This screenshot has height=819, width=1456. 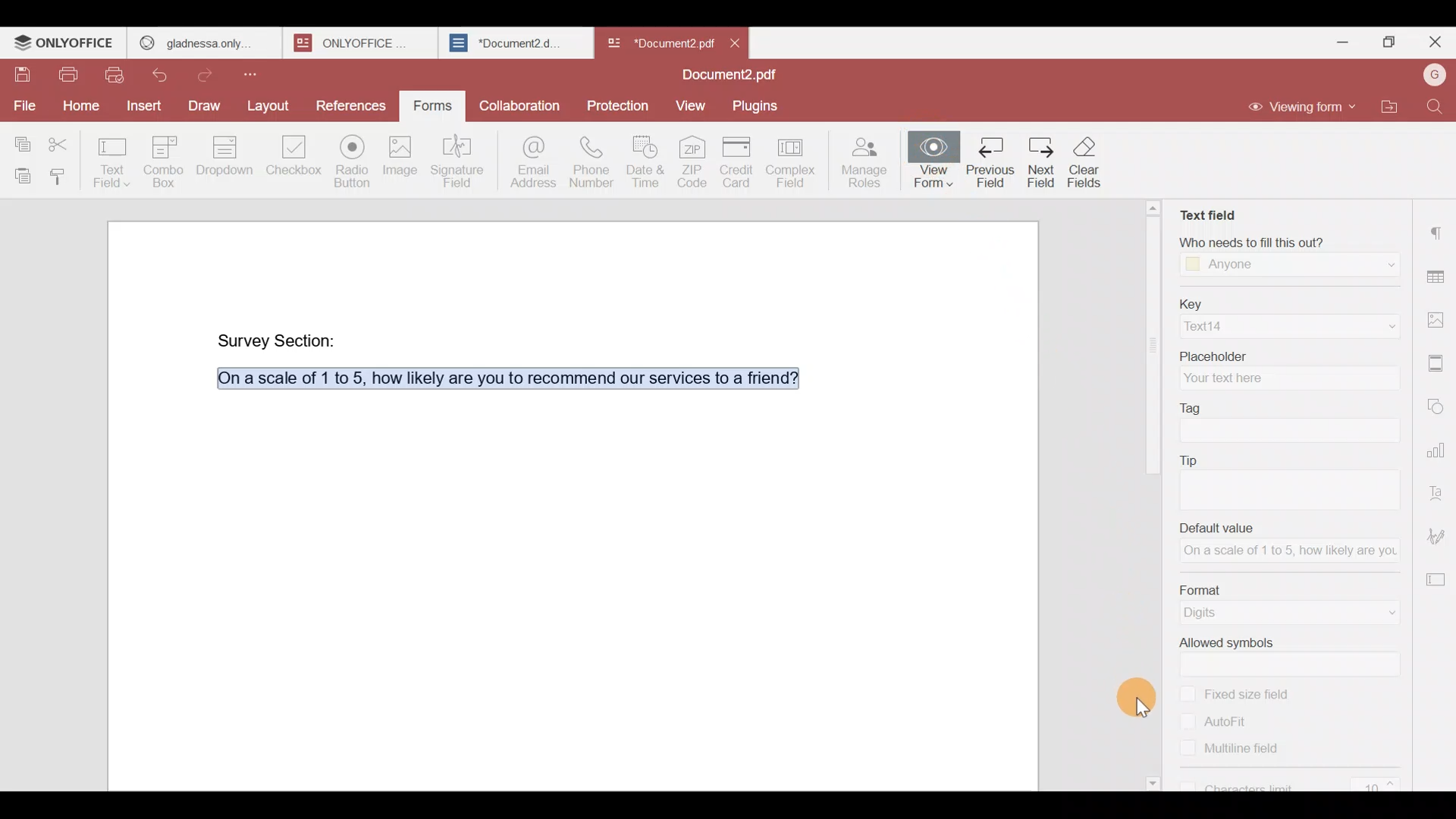 I want to click on Paragraph settings, so click(x=1439, y=227).